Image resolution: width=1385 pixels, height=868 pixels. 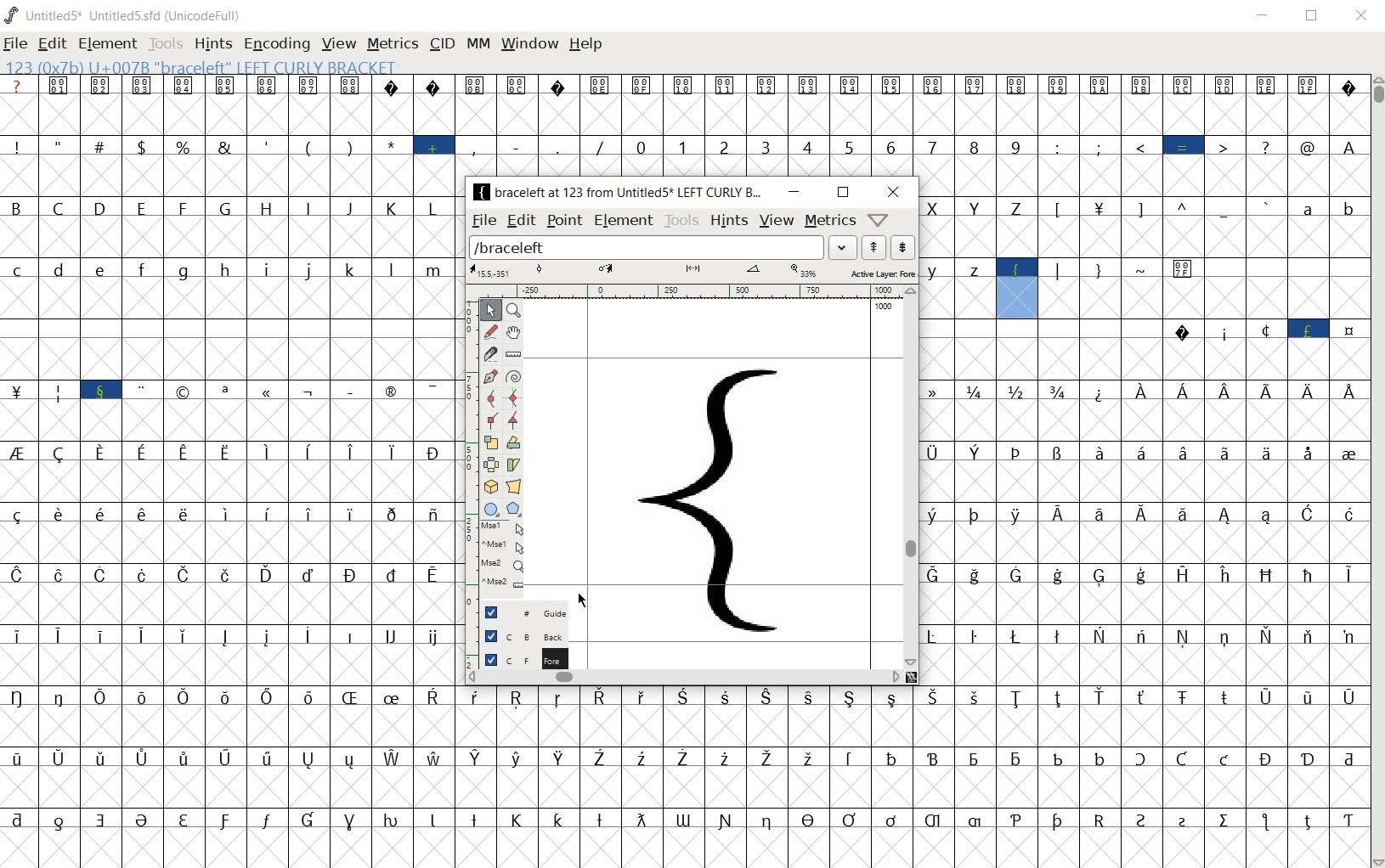 I want to click on view, so click(x=336, y=43).